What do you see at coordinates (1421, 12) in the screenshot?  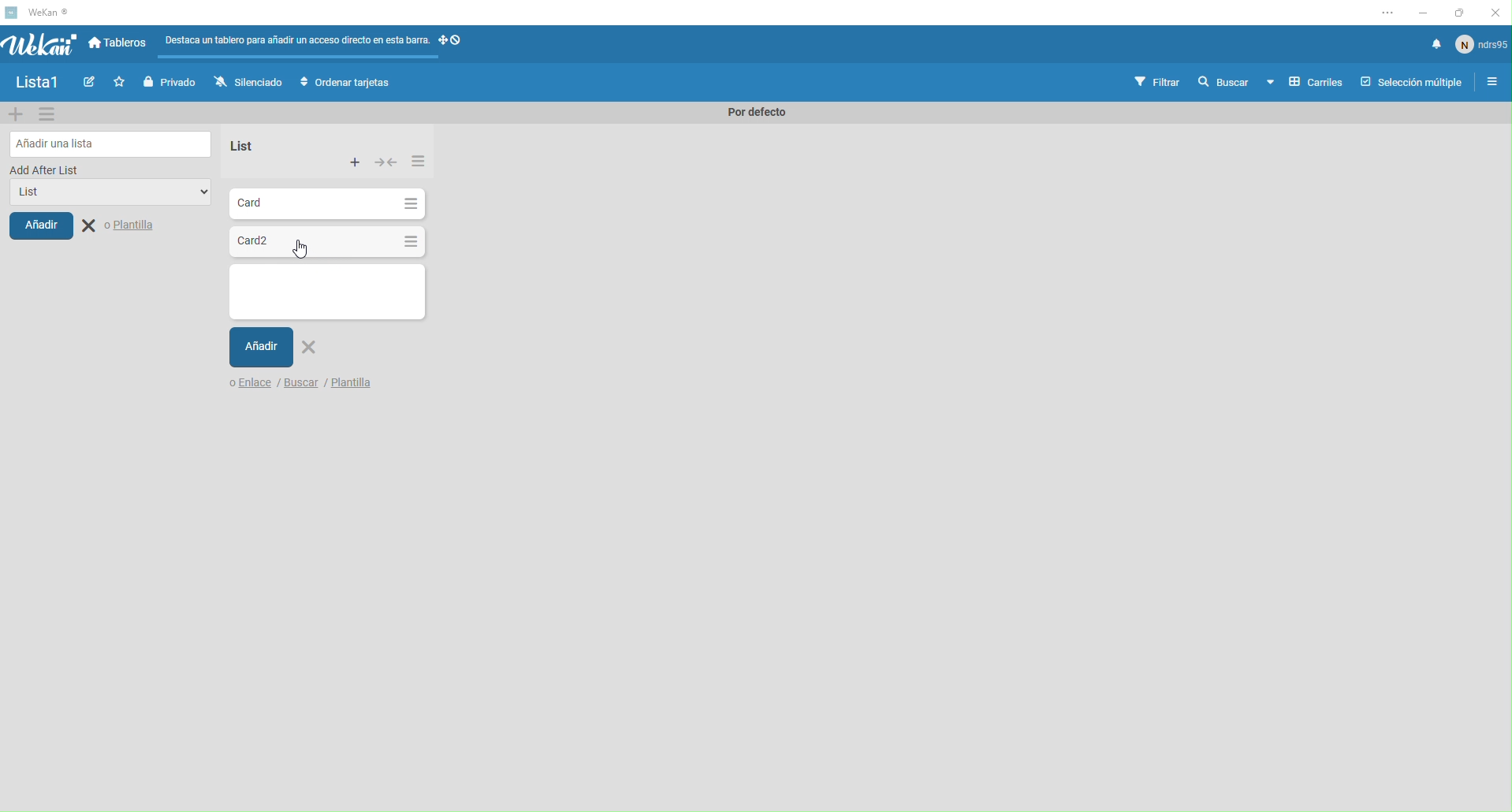 I see `minimise` at bounding box center [1421, 12].